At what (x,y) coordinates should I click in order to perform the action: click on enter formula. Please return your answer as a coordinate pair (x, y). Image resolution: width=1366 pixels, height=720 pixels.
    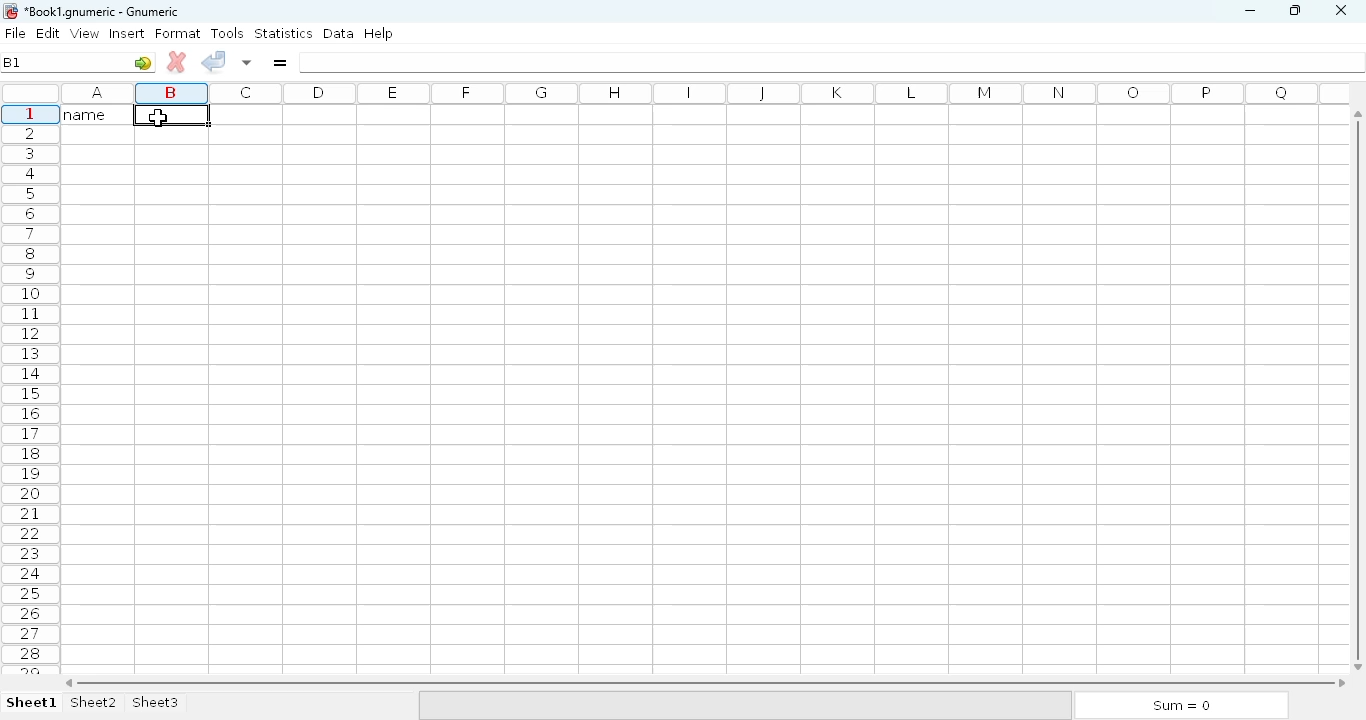
    Looking at the image, I should click on (279, 62).